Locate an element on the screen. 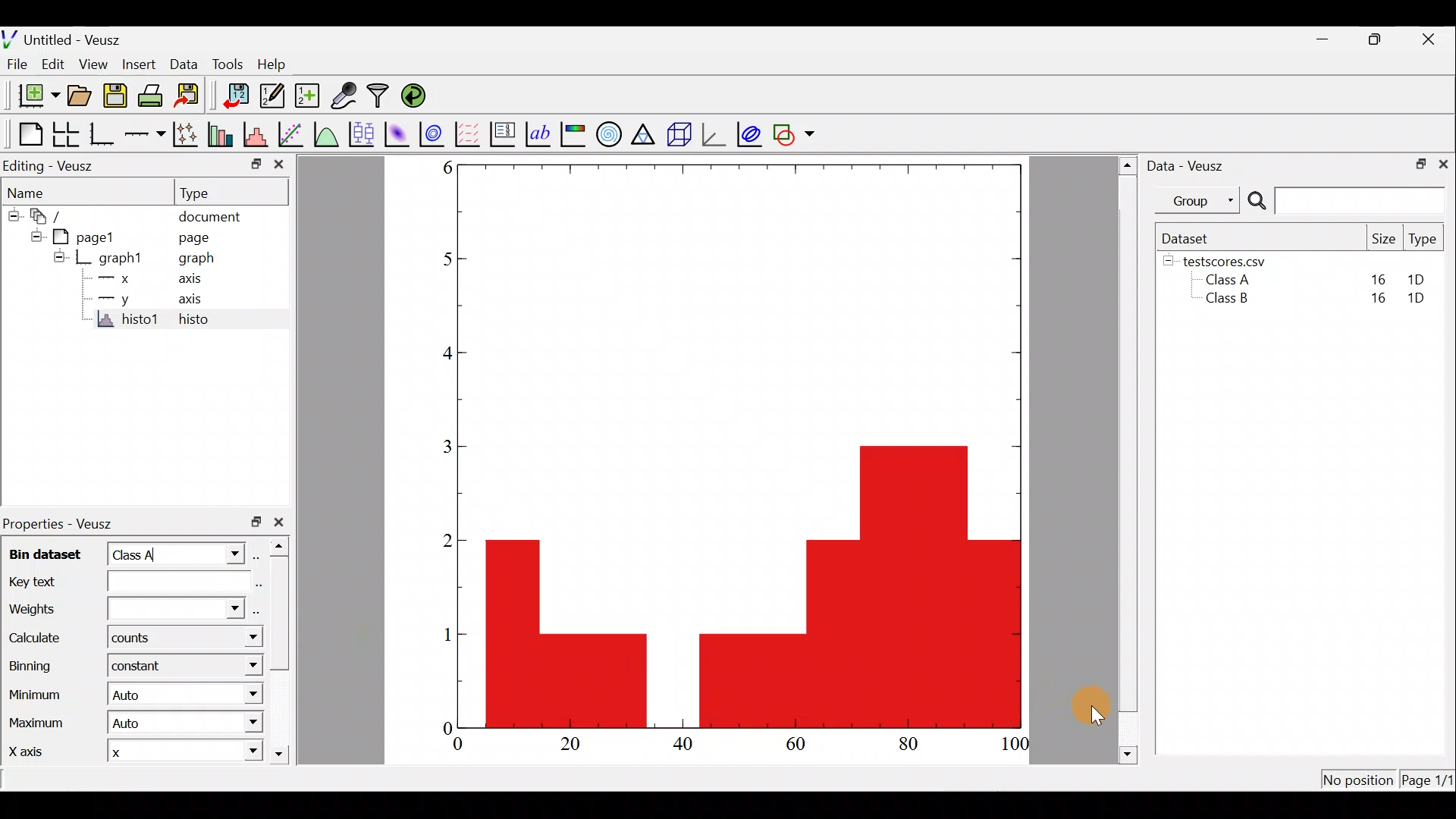  X axis is located at coordinates (33, 754).